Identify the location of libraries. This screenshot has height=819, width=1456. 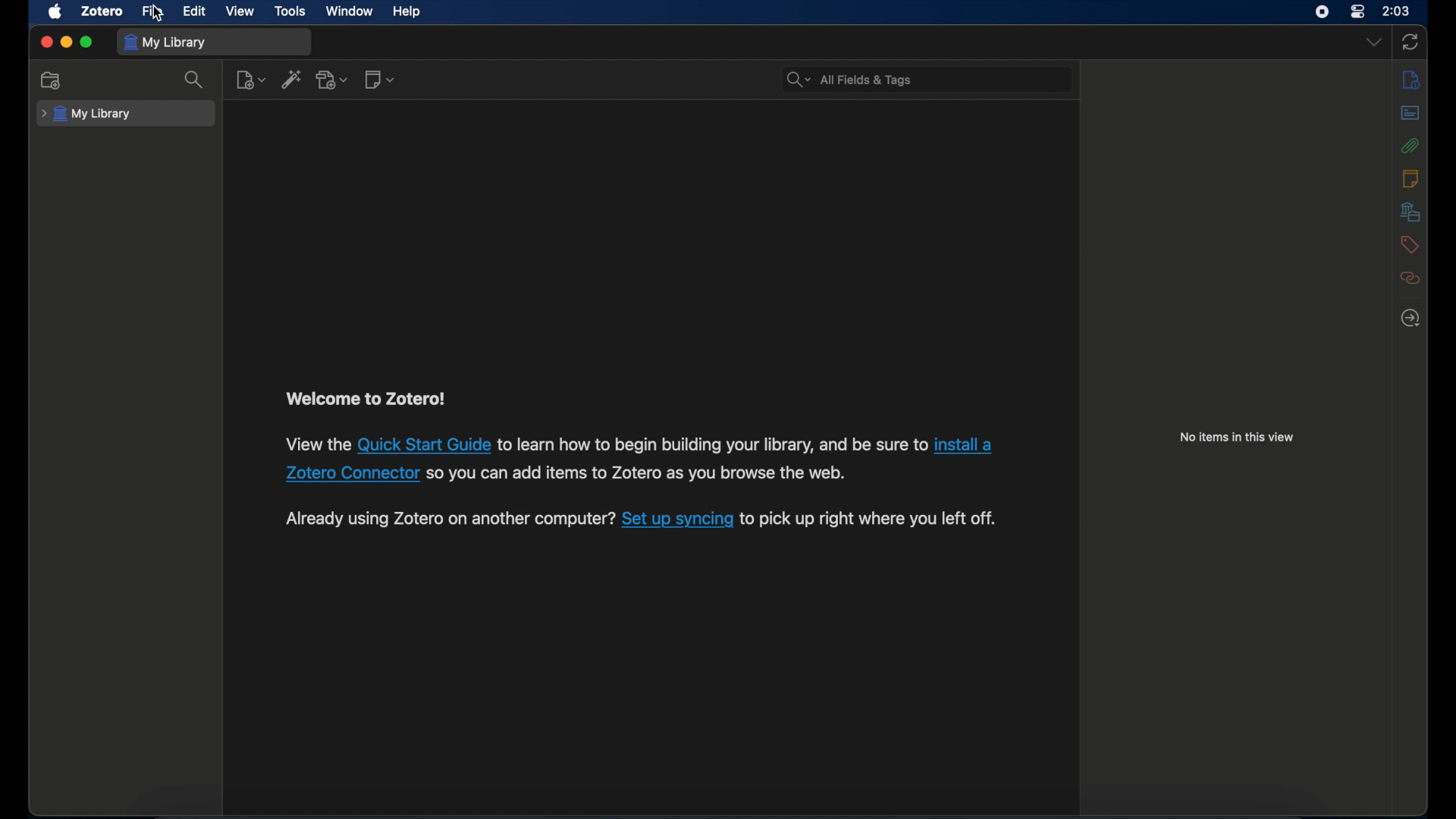
(1410, 212).